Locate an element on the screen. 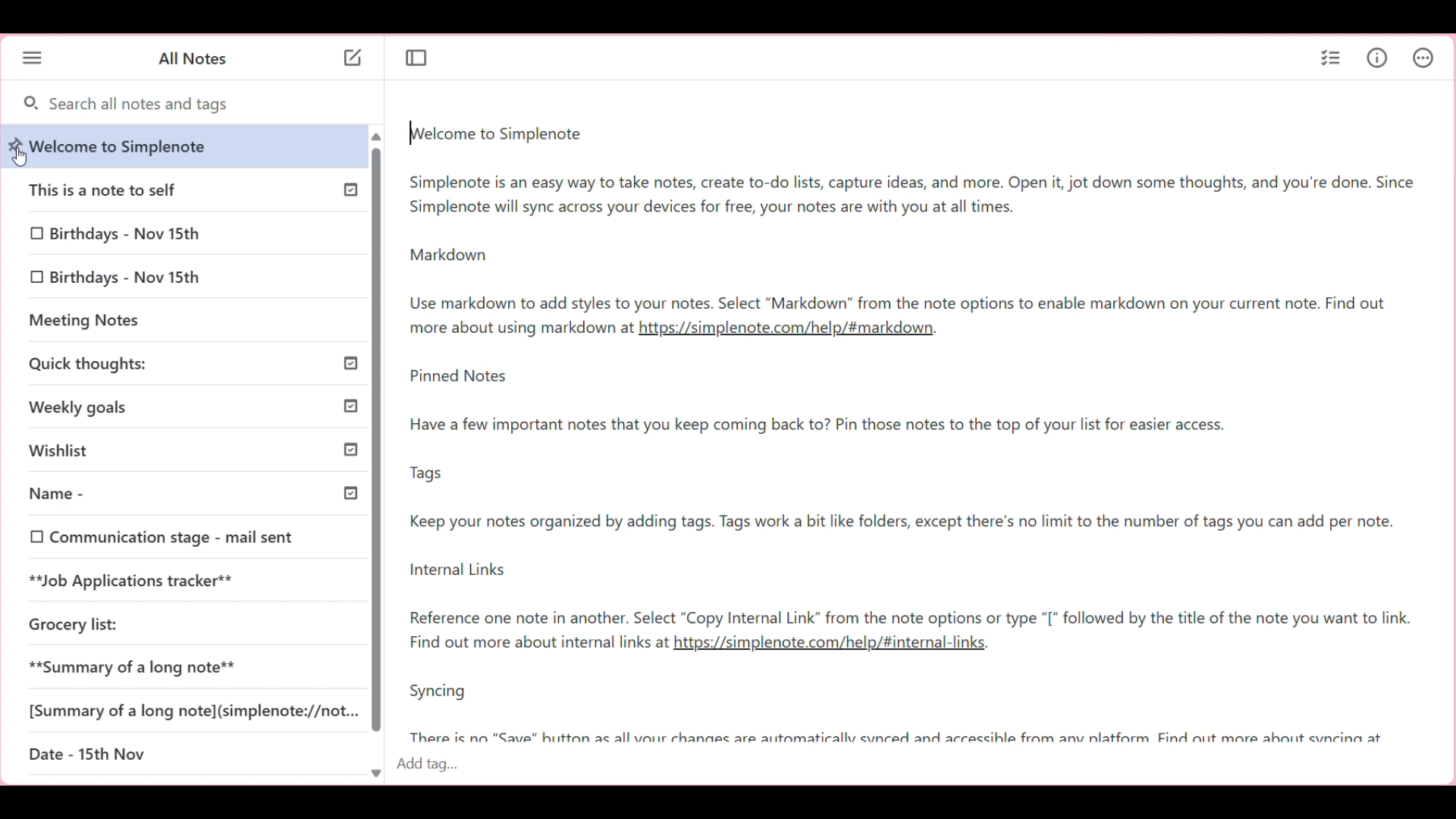 The image size is (1456, 819). cursor is located at coordinates (20, 156).